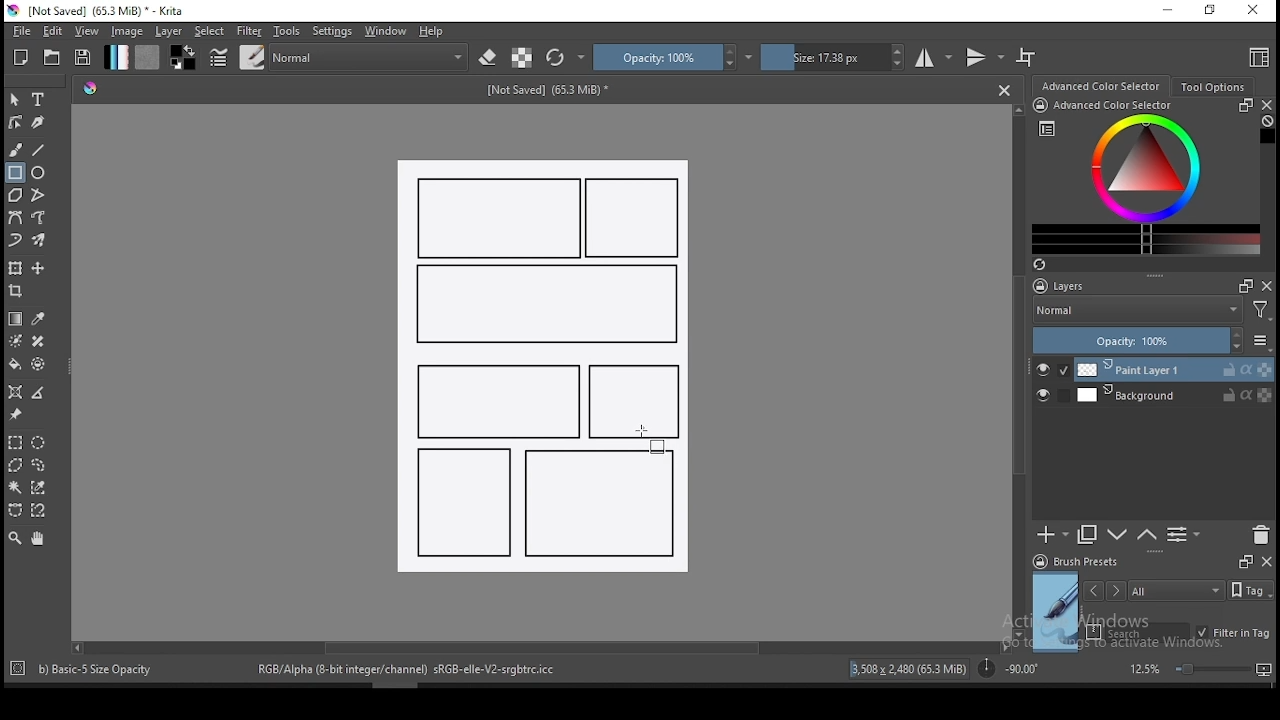 This screenshot has width=1280, height=720. I want to click on layer, so click(170, 31).